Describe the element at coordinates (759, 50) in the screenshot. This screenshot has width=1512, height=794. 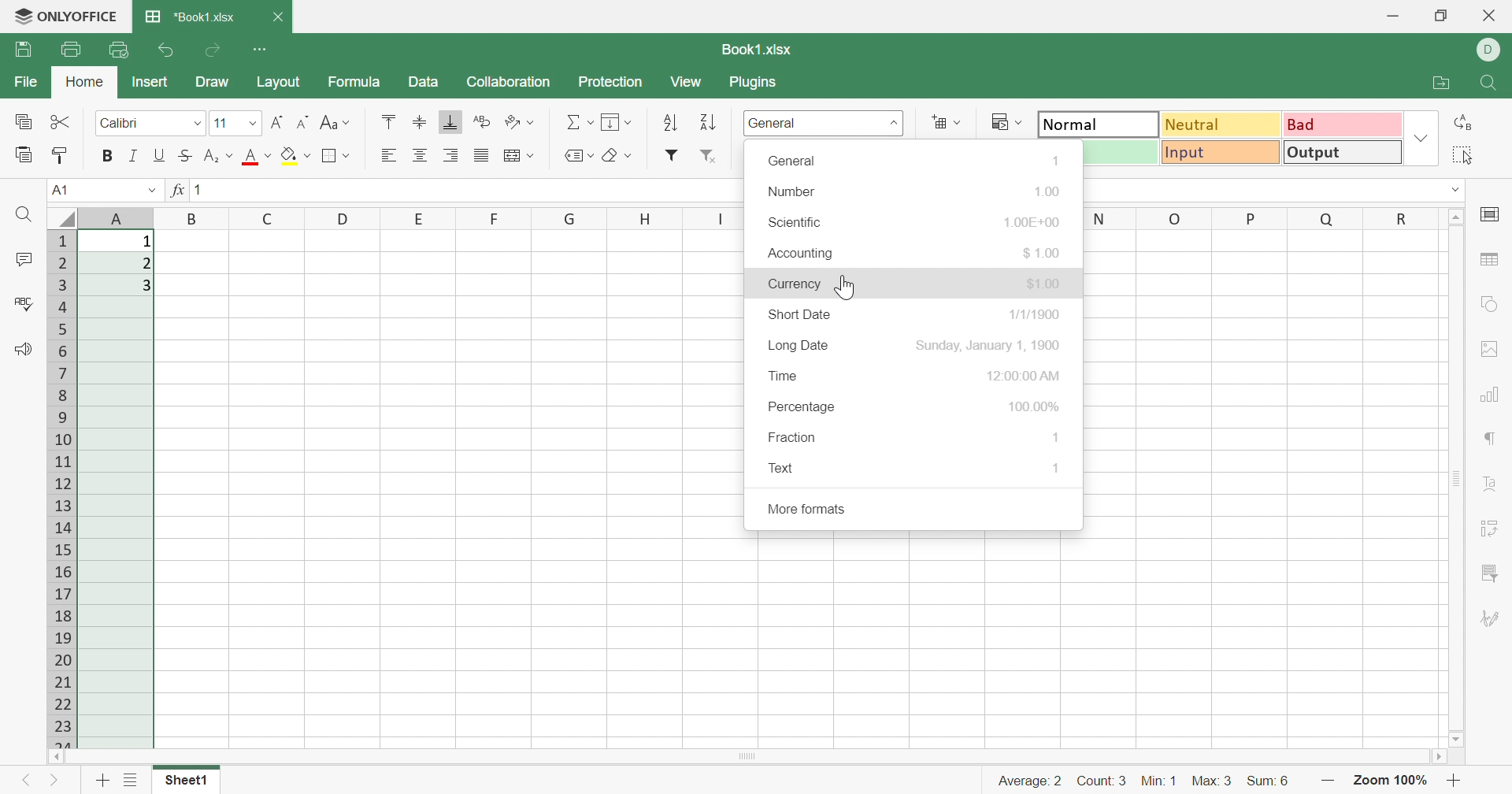
I see `Book1.xlsx` at that location.